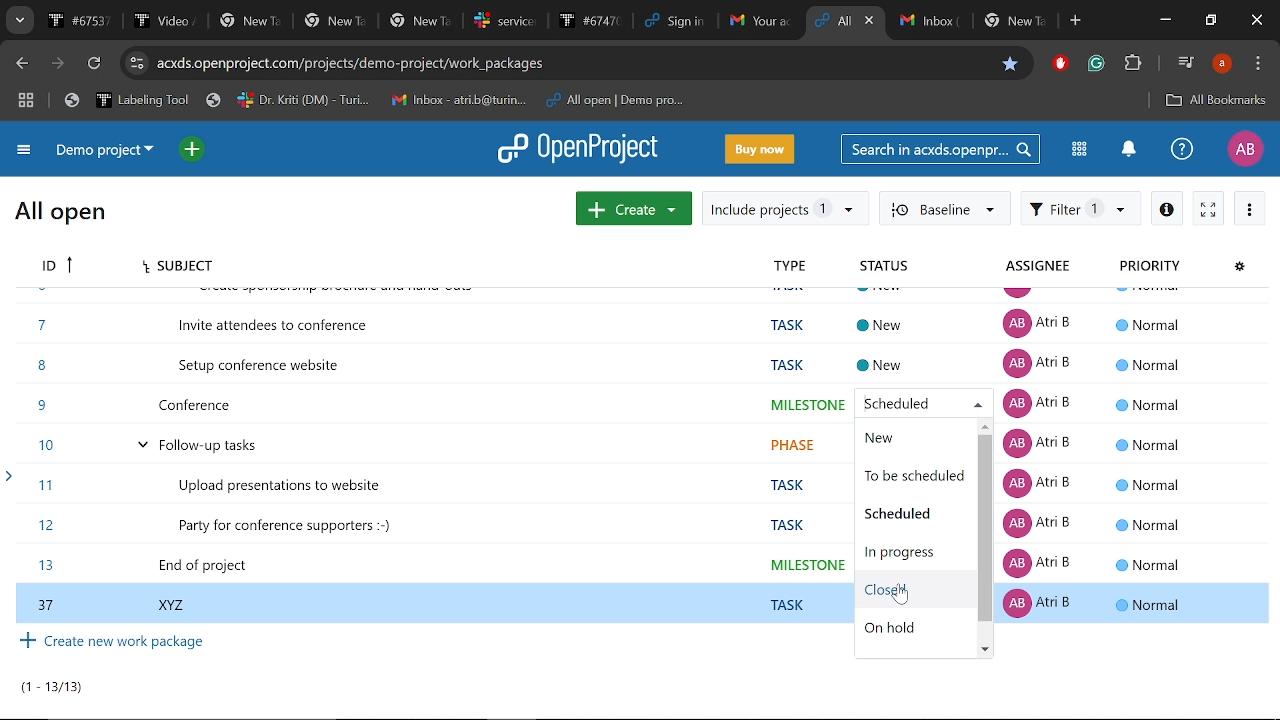  Describe the element at coordinates (192, 149) in the screenshot. I see `open quick add menu` at that location.